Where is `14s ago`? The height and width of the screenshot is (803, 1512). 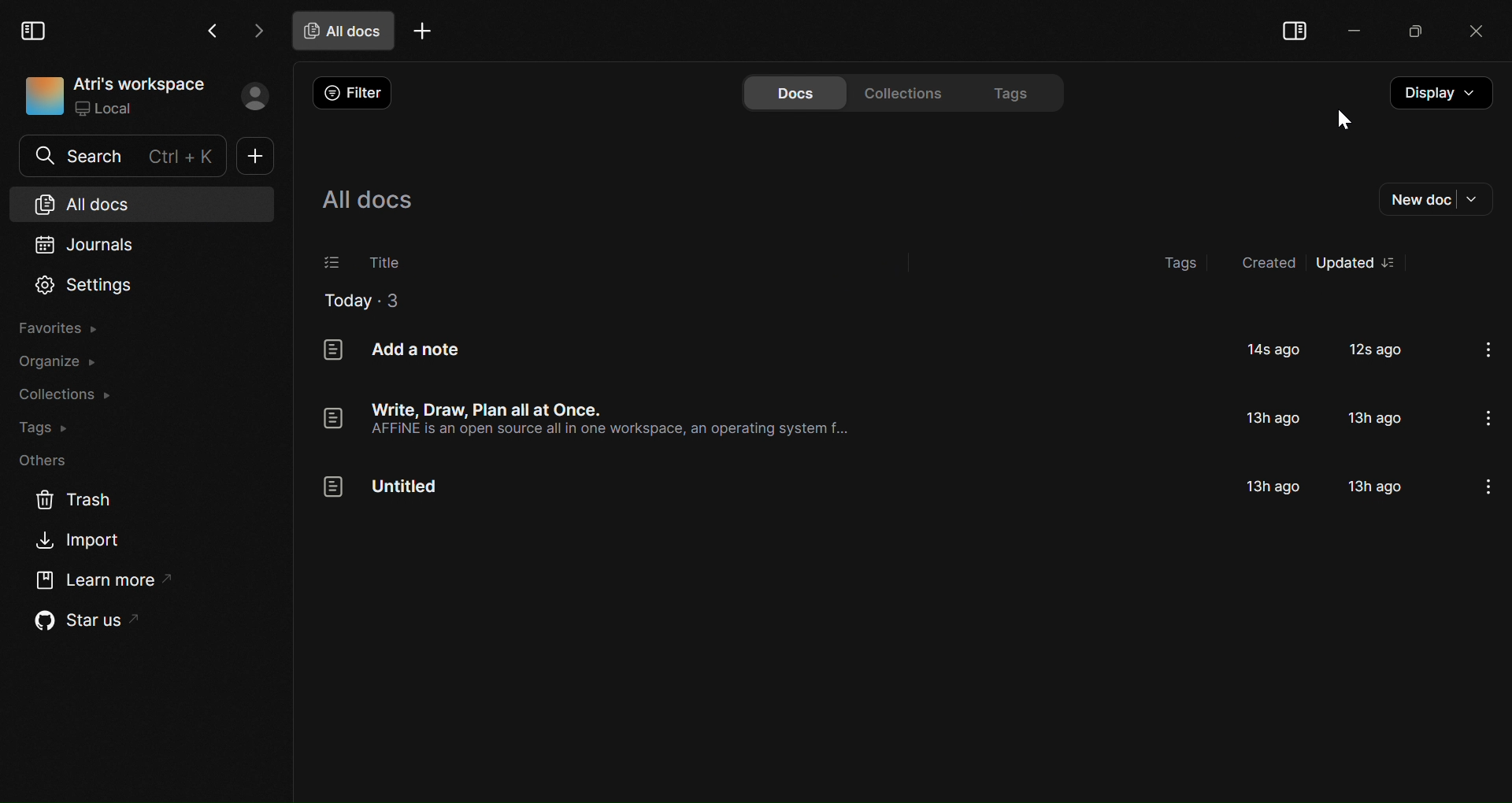
14s ago is located at coordinates (1275, 350).